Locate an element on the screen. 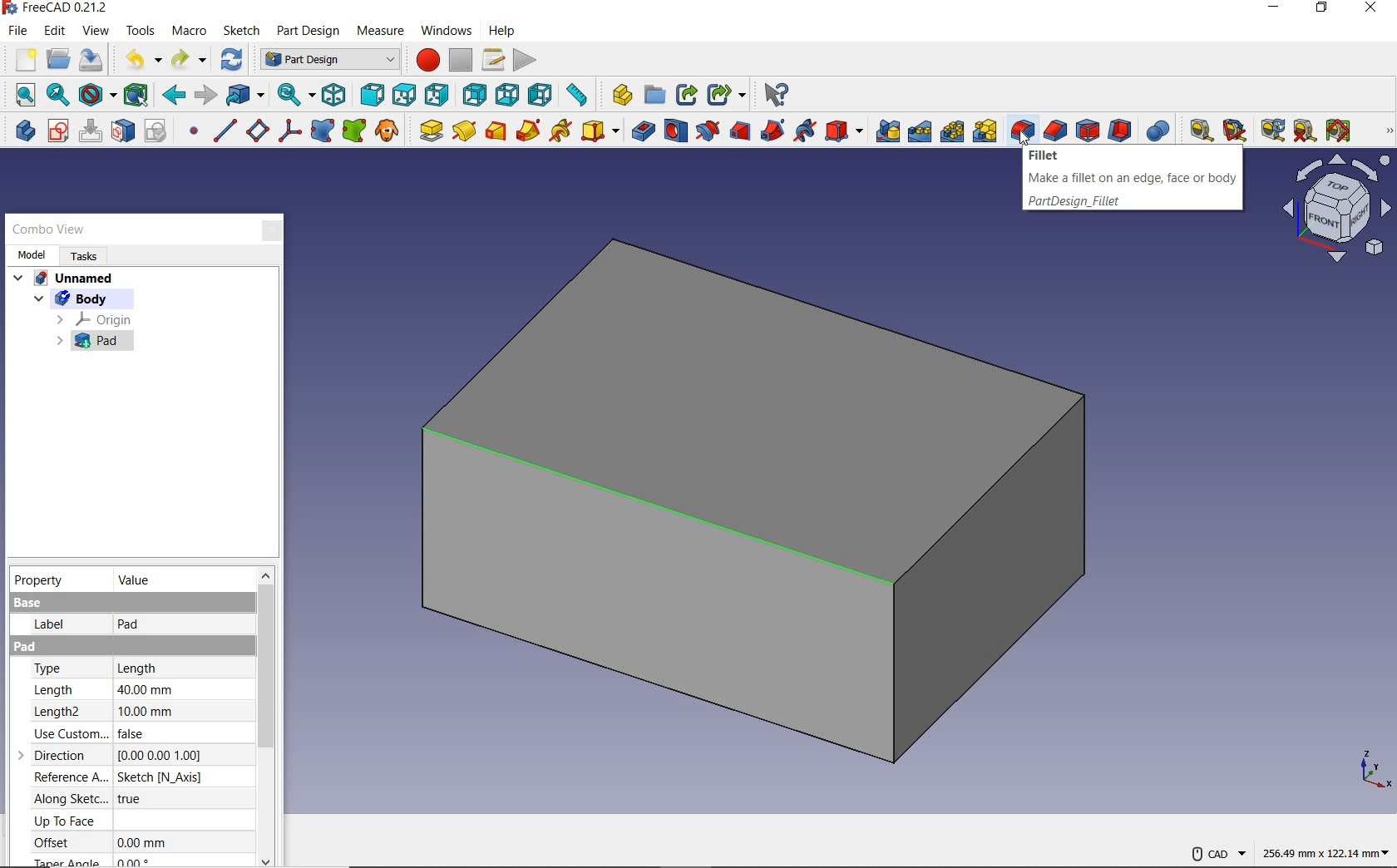  pad is located at coordinates (430, 132).